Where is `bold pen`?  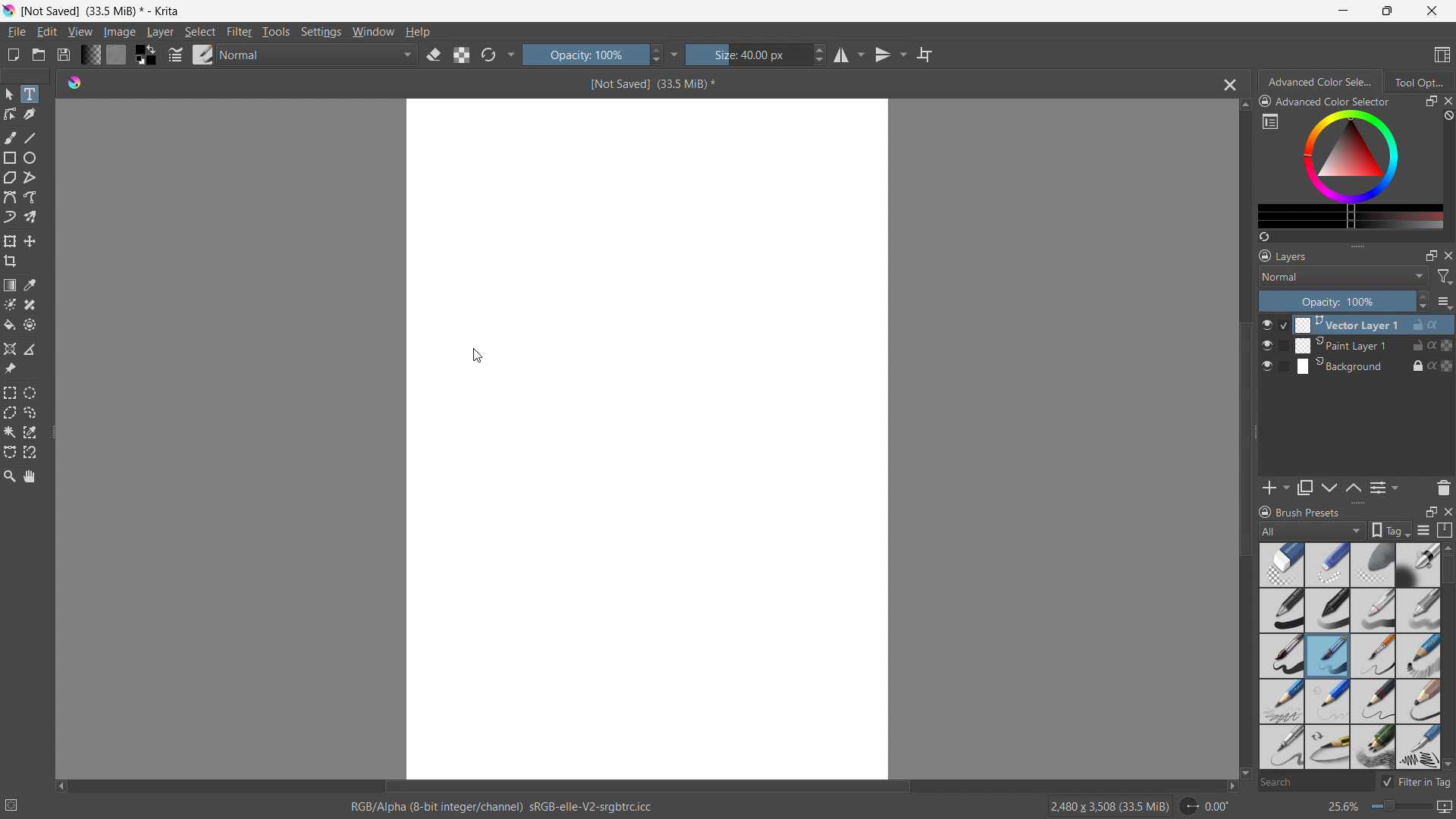 bold pen is located at coordinates (1281, 611).